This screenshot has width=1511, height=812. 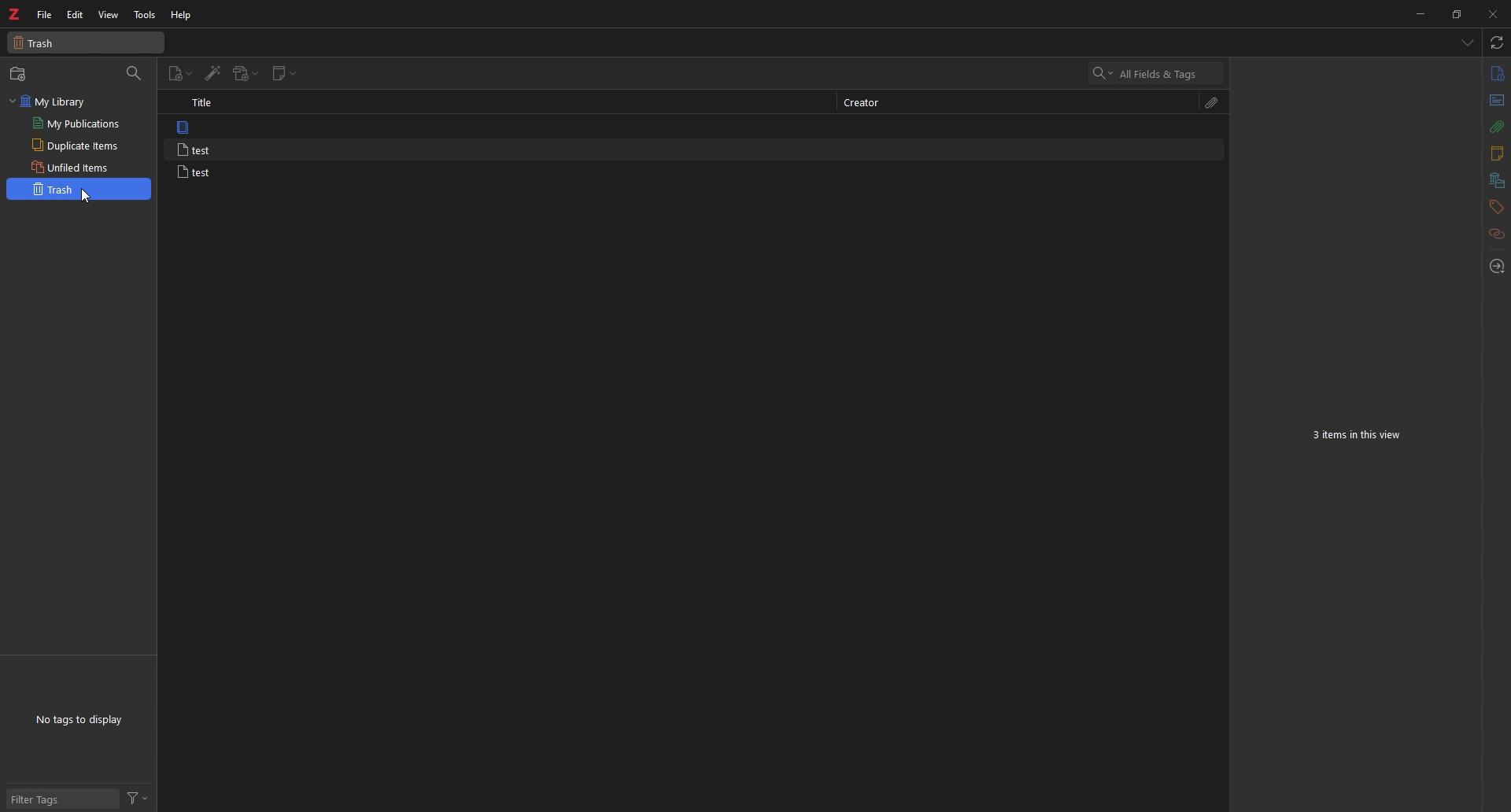 What do you see at coordinates (83, 720) in the screenshot?
I see `tags to display` at bounding box center [83, 720].